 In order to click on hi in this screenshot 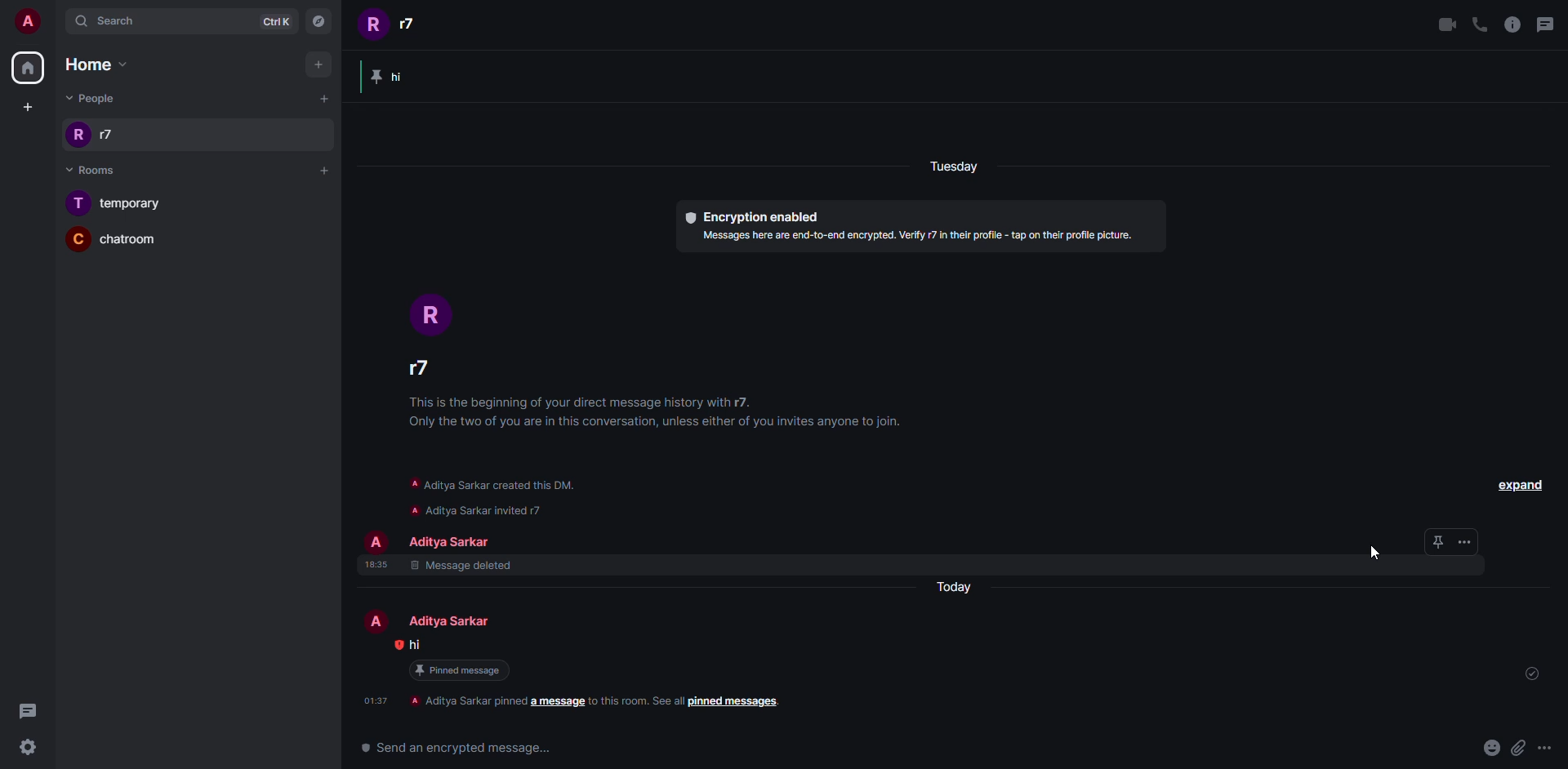, I will do `click(427, 644)`.